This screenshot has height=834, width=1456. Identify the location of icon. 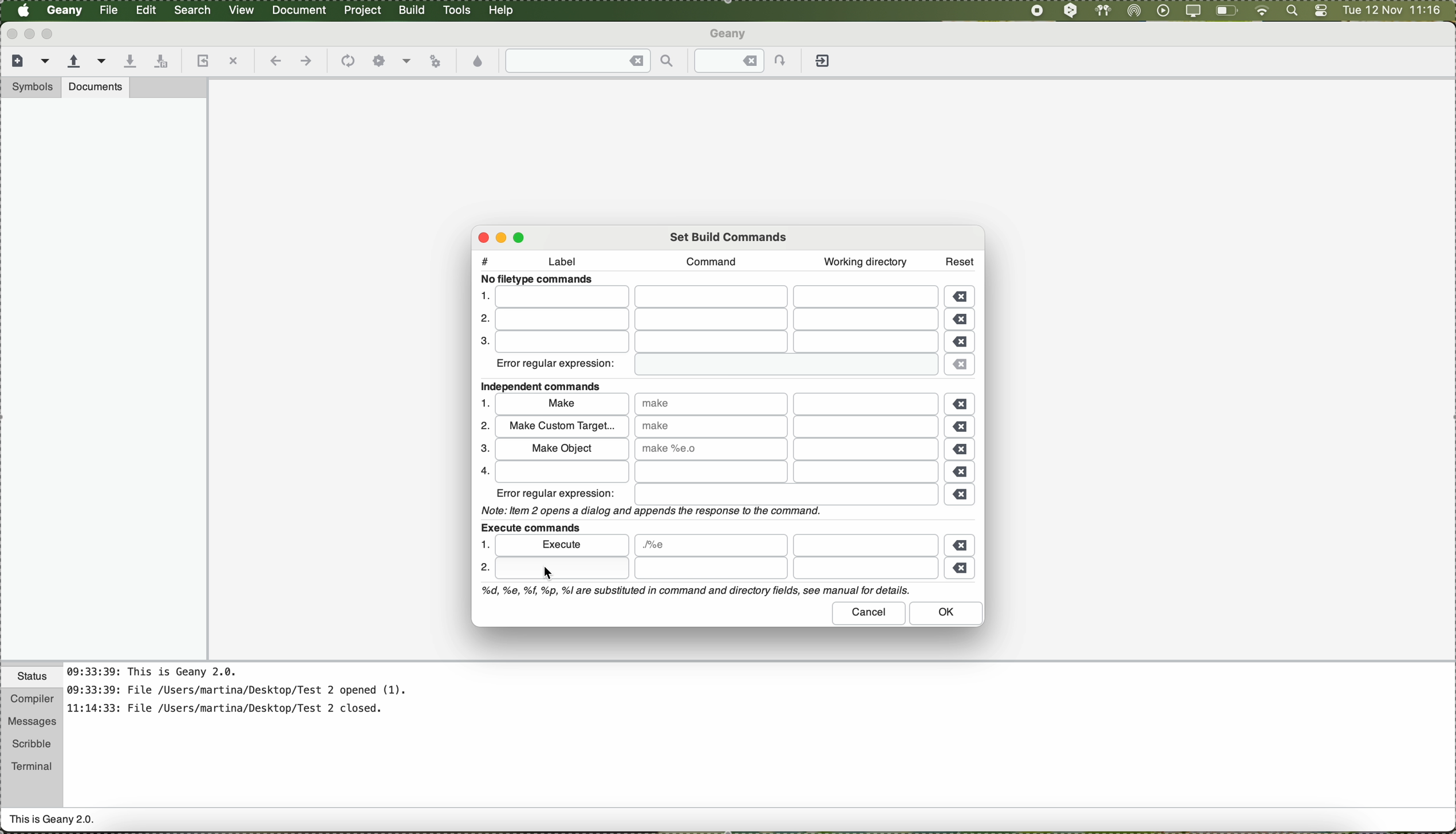
(346, 62).